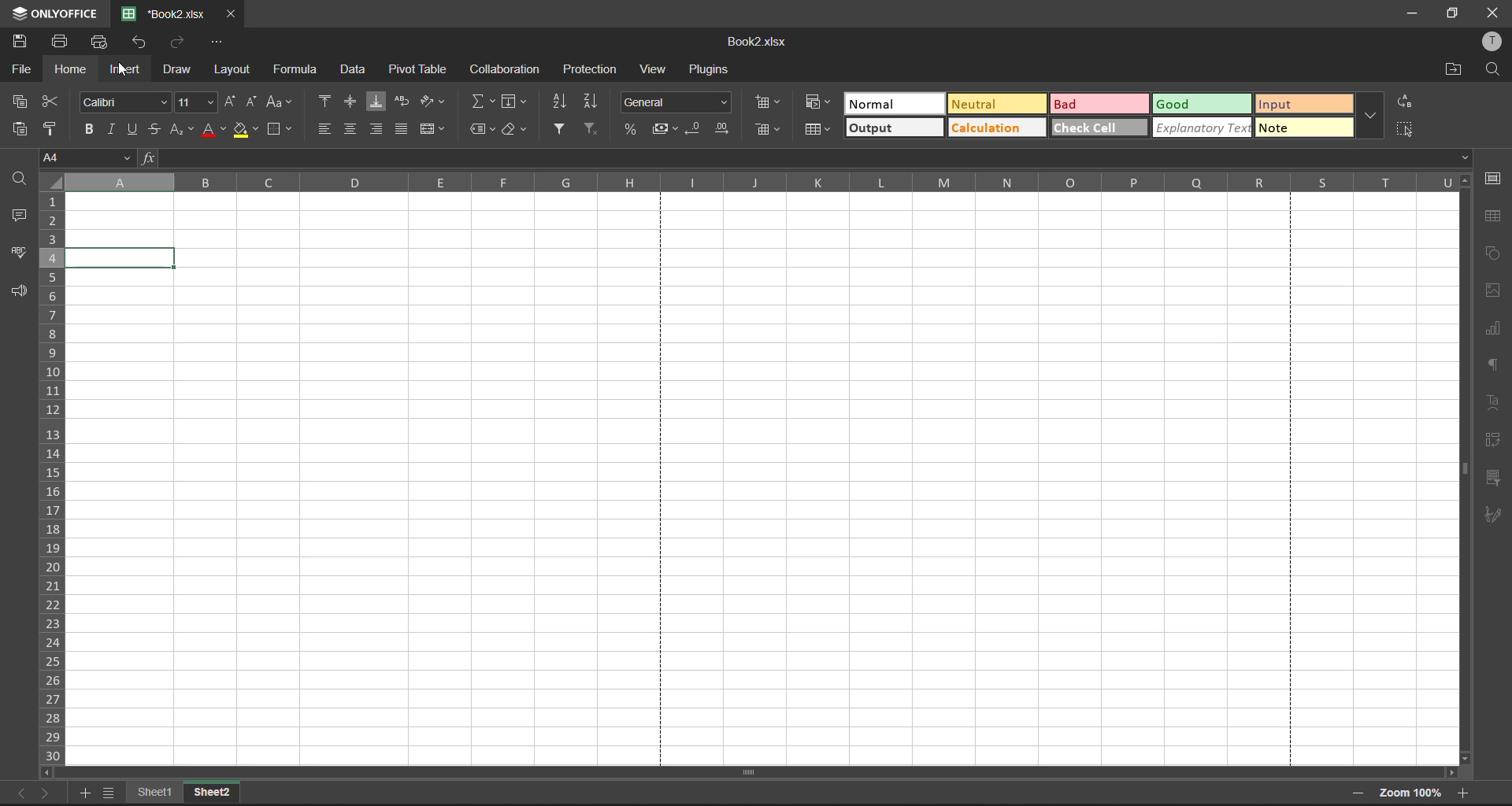 Image resolution: width=1512 pixels, height=806 pixels. Describe the element at coordinates (21, 217) in the screenshot. I see `comments` at that location.